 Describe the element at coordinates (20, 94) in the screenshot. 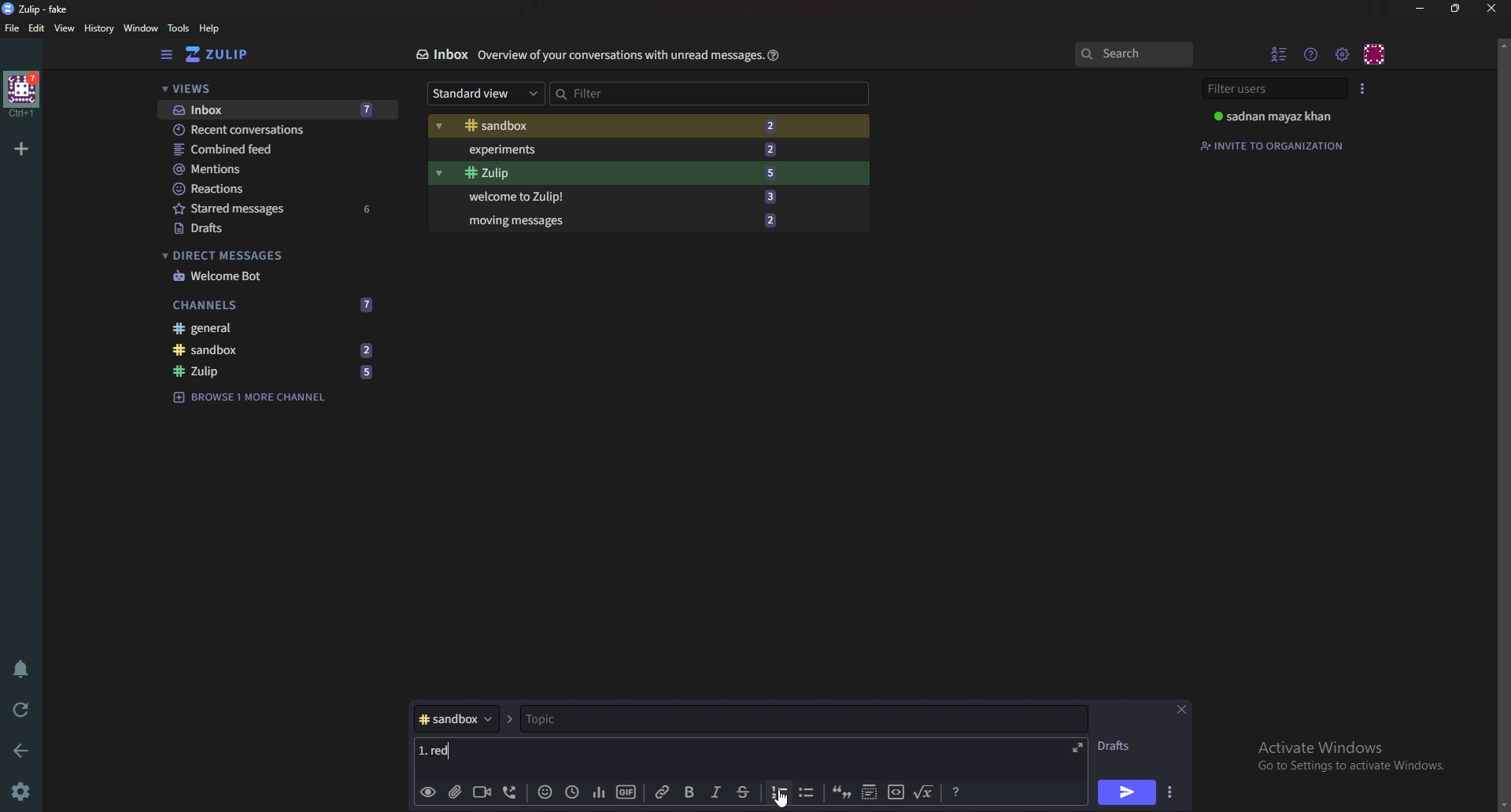

I see `home` at that location.